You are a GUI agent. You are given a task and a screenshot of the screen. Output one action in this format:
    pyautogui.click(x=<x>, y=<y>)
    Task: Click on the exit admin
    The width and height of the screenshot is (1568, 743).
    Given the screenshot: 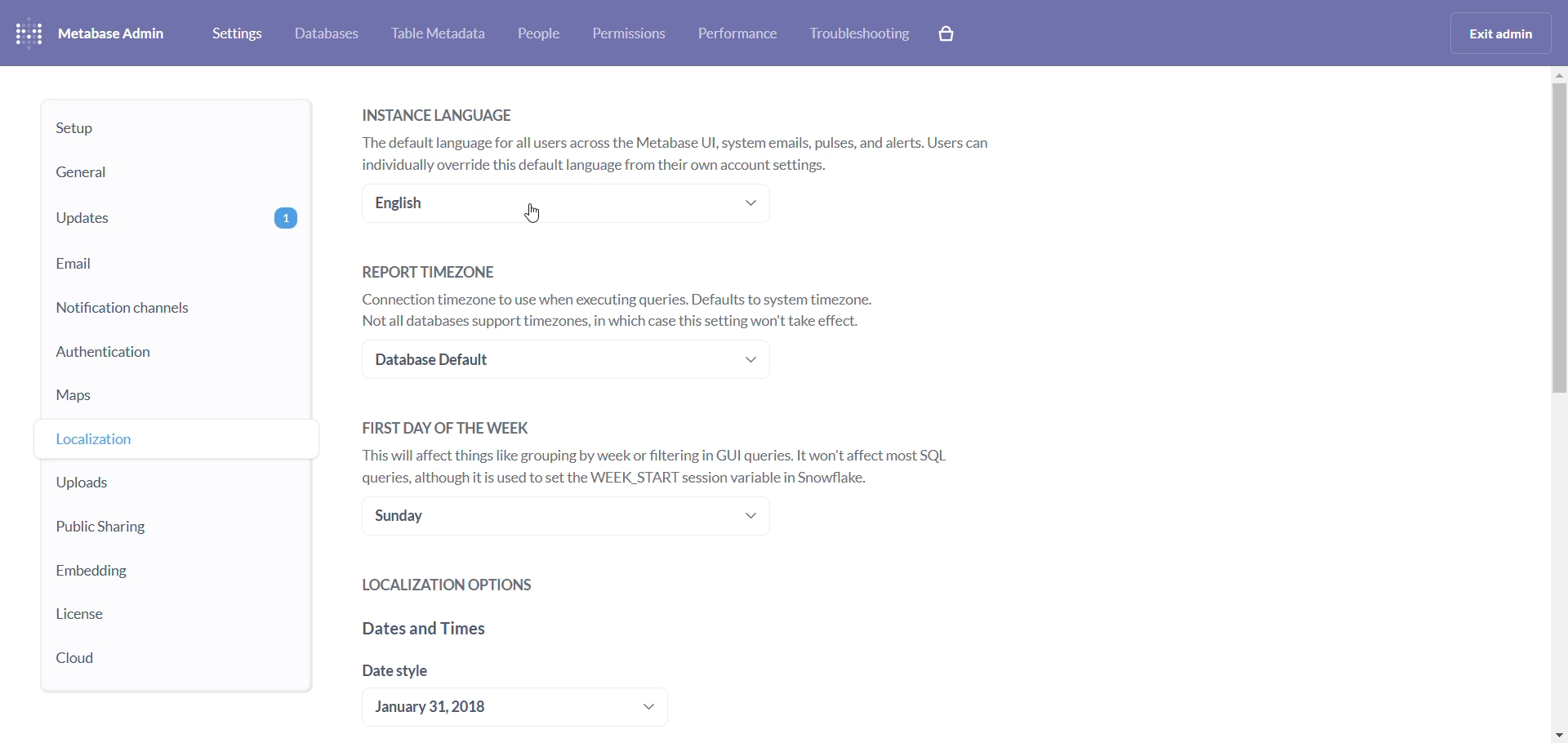 What is the action you would take?
    pyautogui.click(x=1502, y=33)
    